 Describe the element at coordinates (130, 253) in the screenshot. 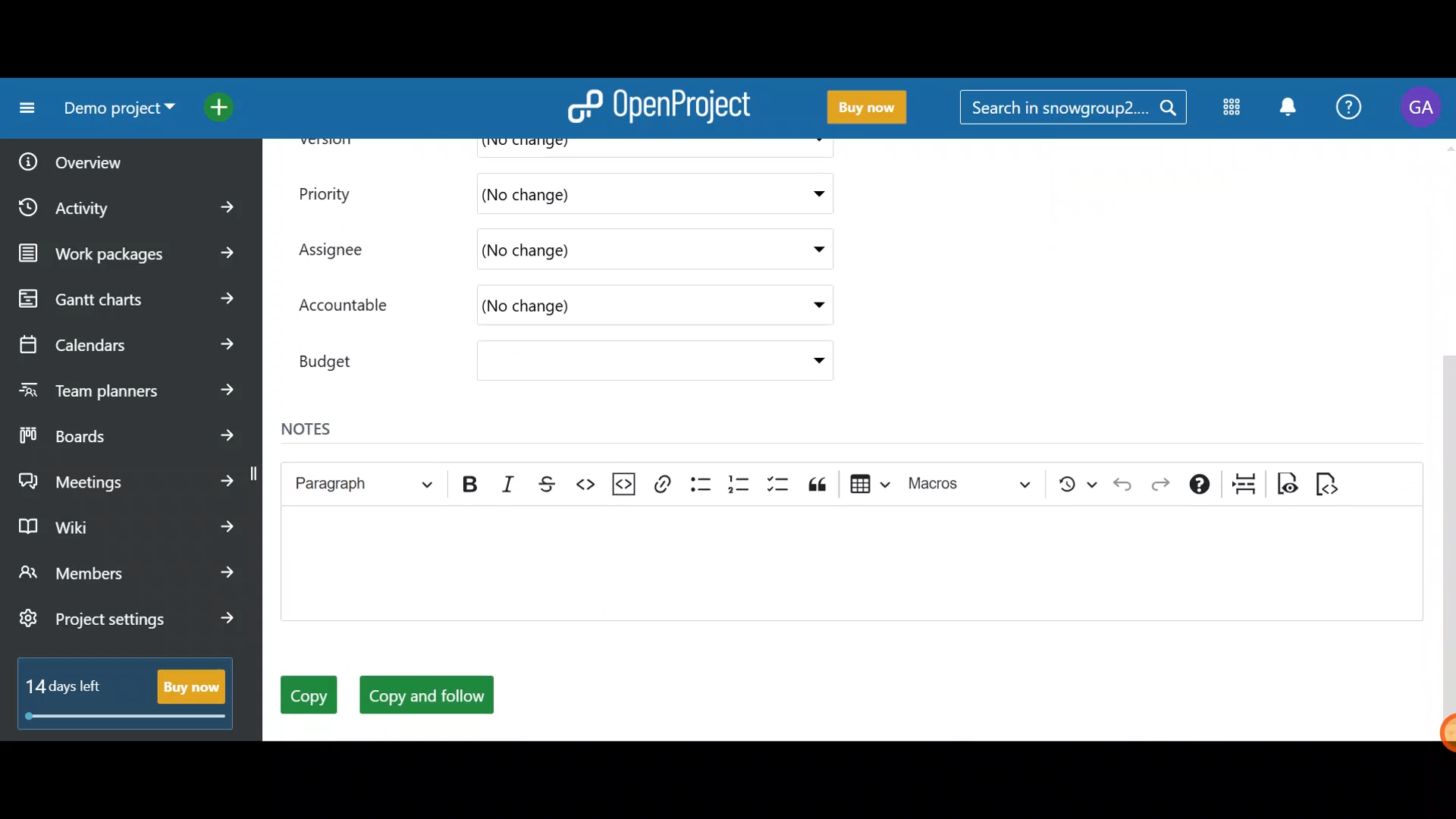

I see `Work packages` at that location.